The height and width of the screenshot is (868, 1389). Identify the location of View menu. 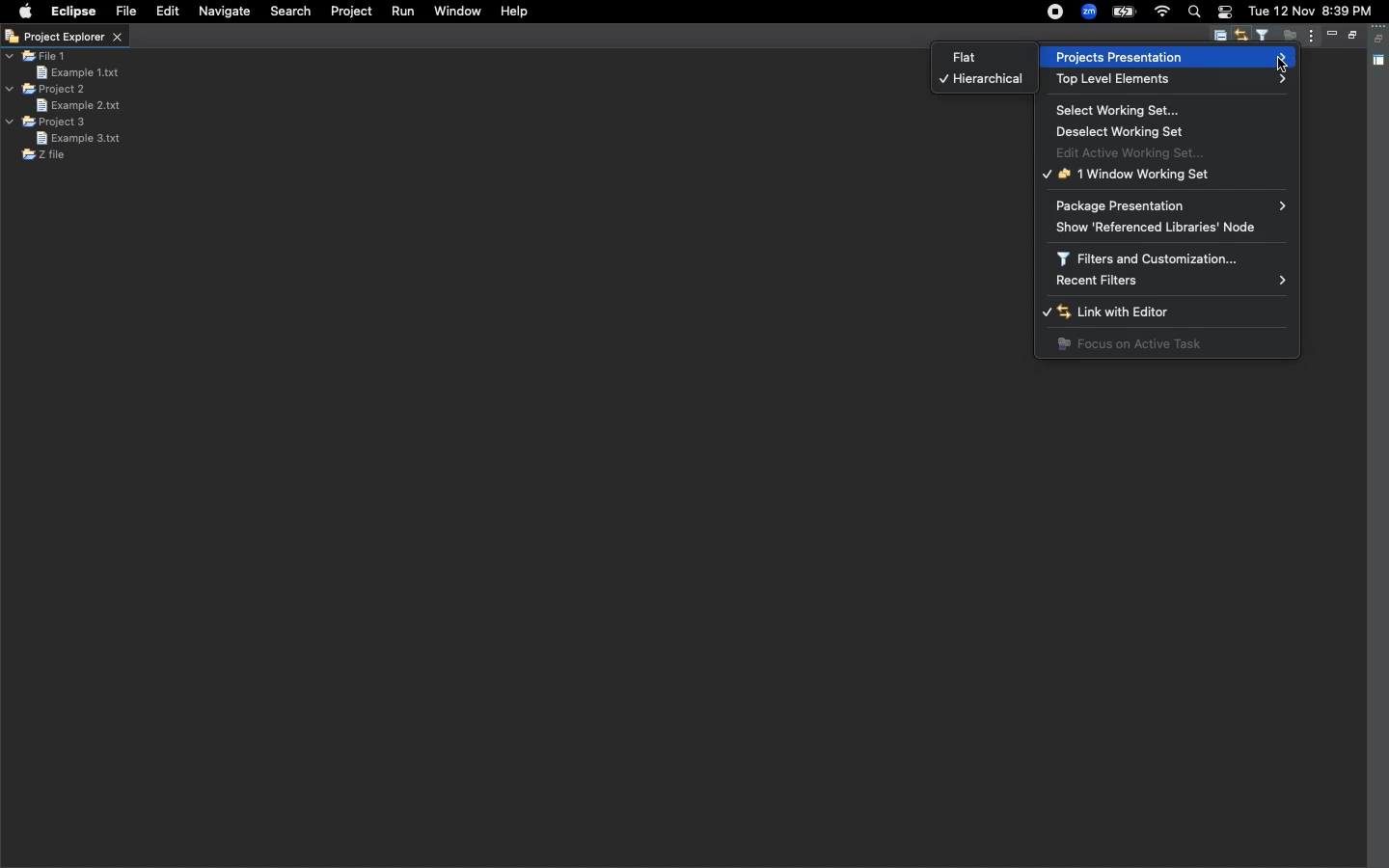
(1309, 37).